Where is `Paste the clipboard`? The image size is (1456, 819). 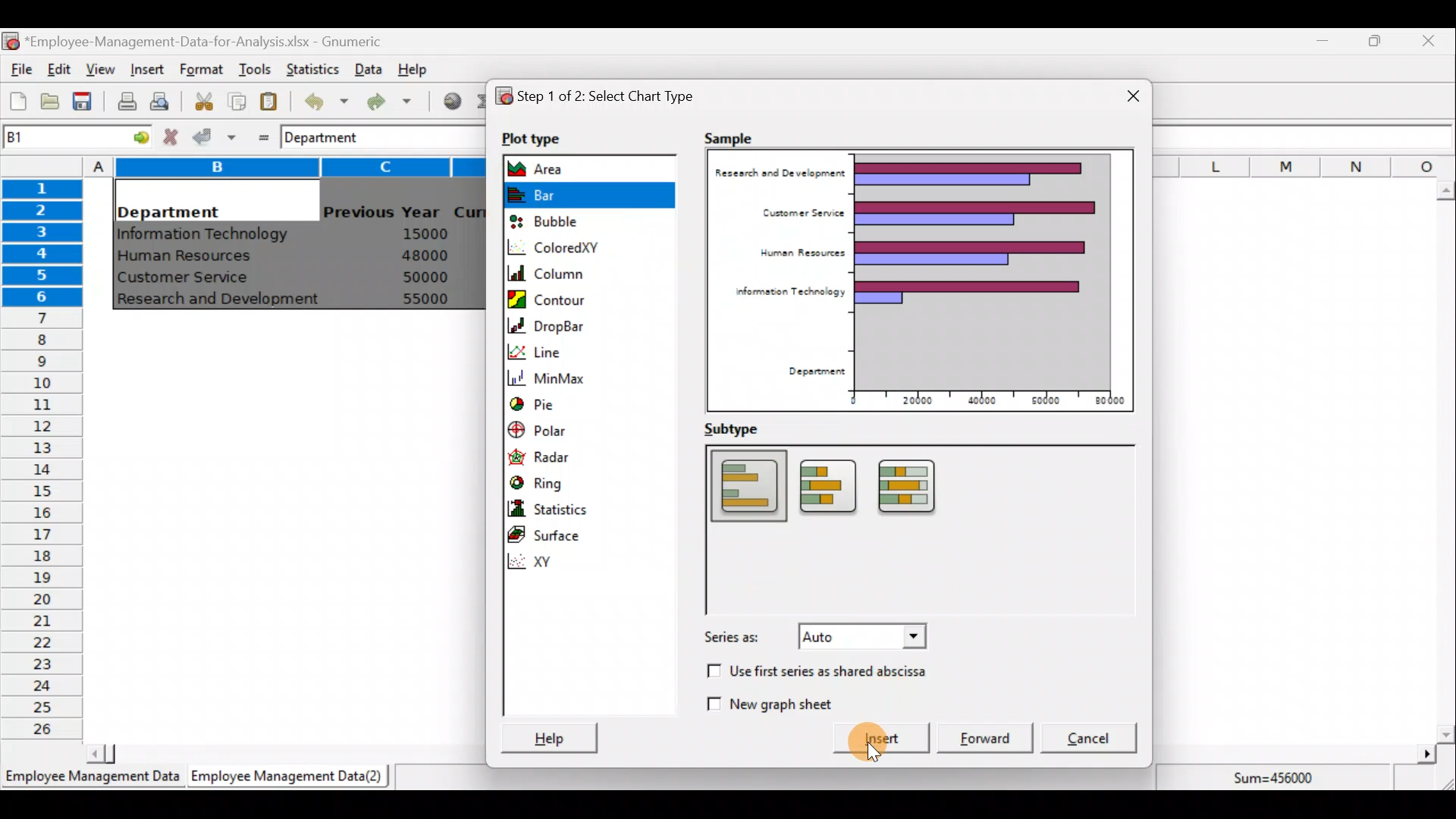
Paste the clipboard is located at coordinates (268, 101).